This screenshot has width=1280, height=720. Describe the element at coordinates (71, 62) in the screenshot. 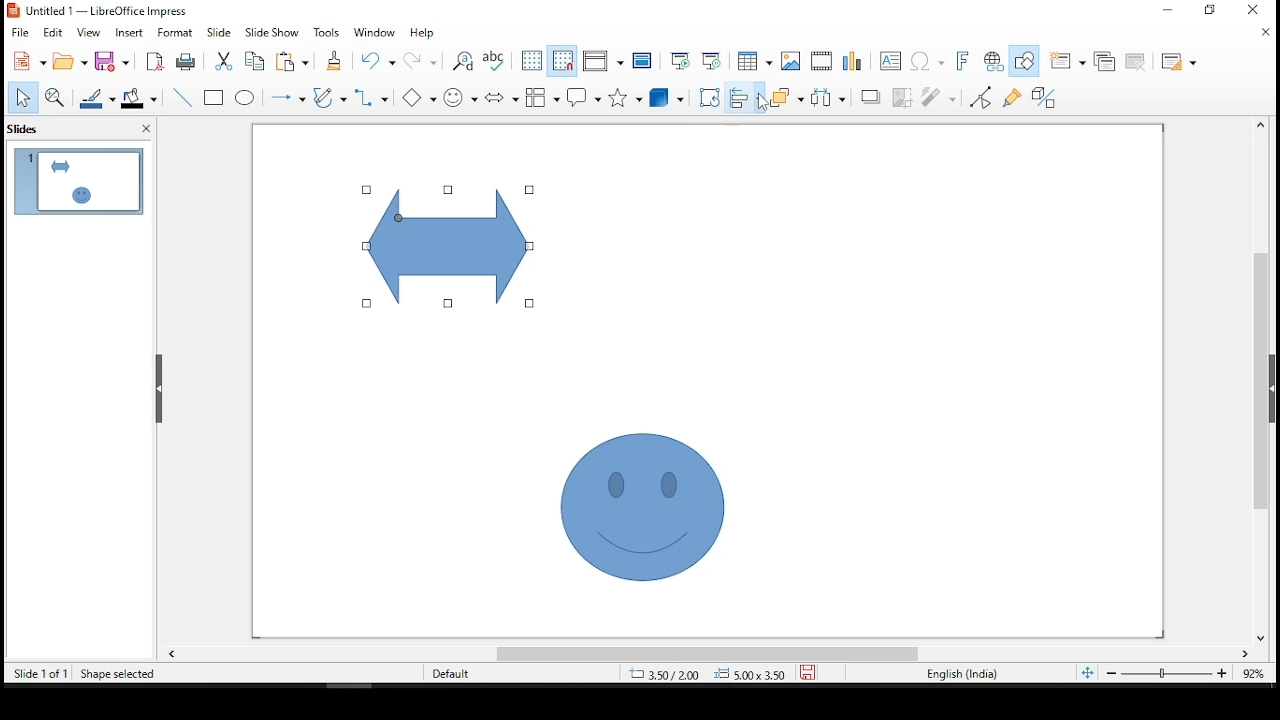

I see `open` at that location.